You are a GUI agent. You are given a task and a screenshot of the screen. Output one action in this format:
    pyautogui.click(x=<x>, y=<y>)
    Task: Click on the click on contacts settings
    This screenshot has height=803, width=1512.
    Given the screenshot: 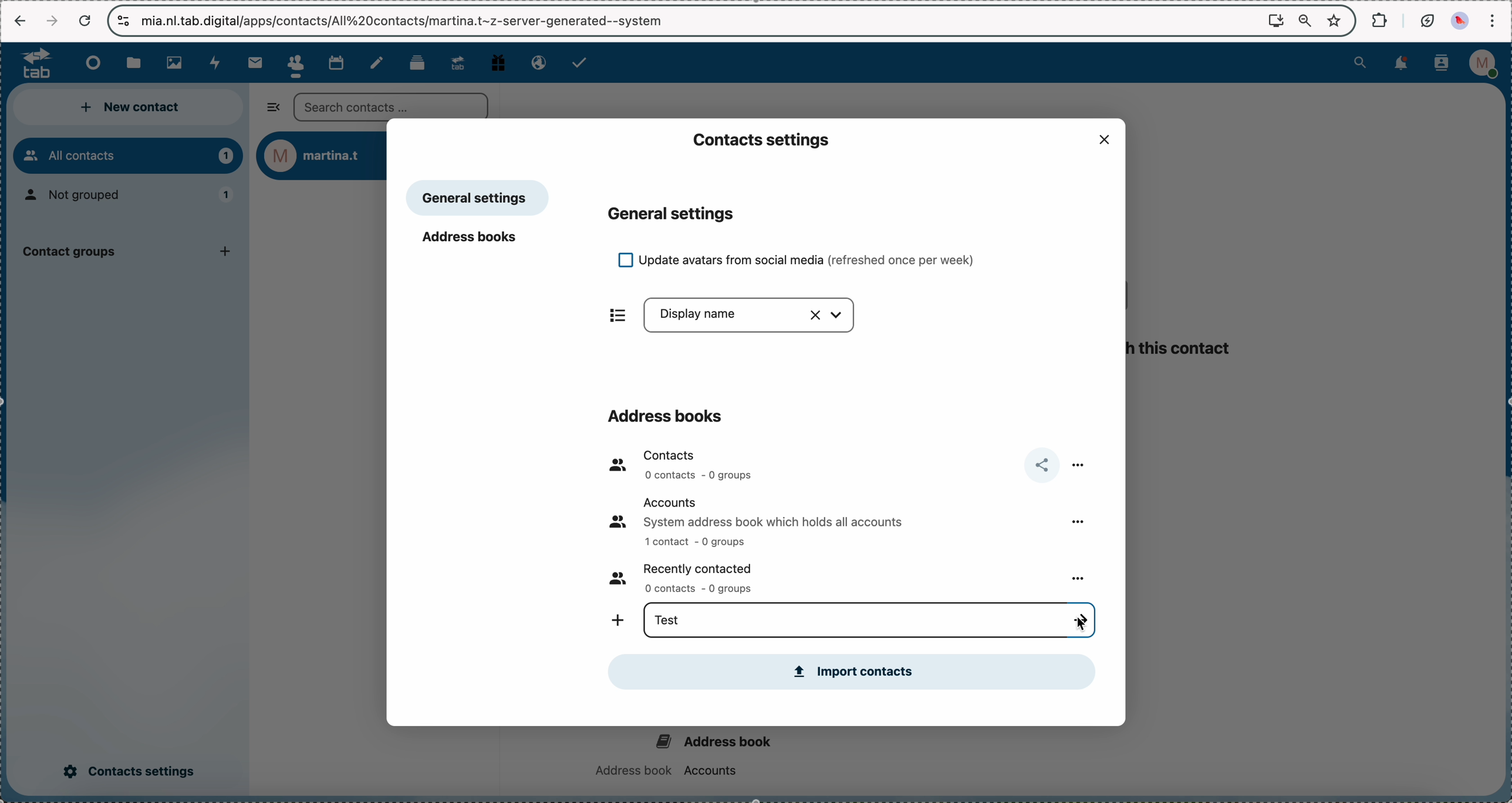 What is the action you would take?
    pyautogui.click(x=129, y=772)
    